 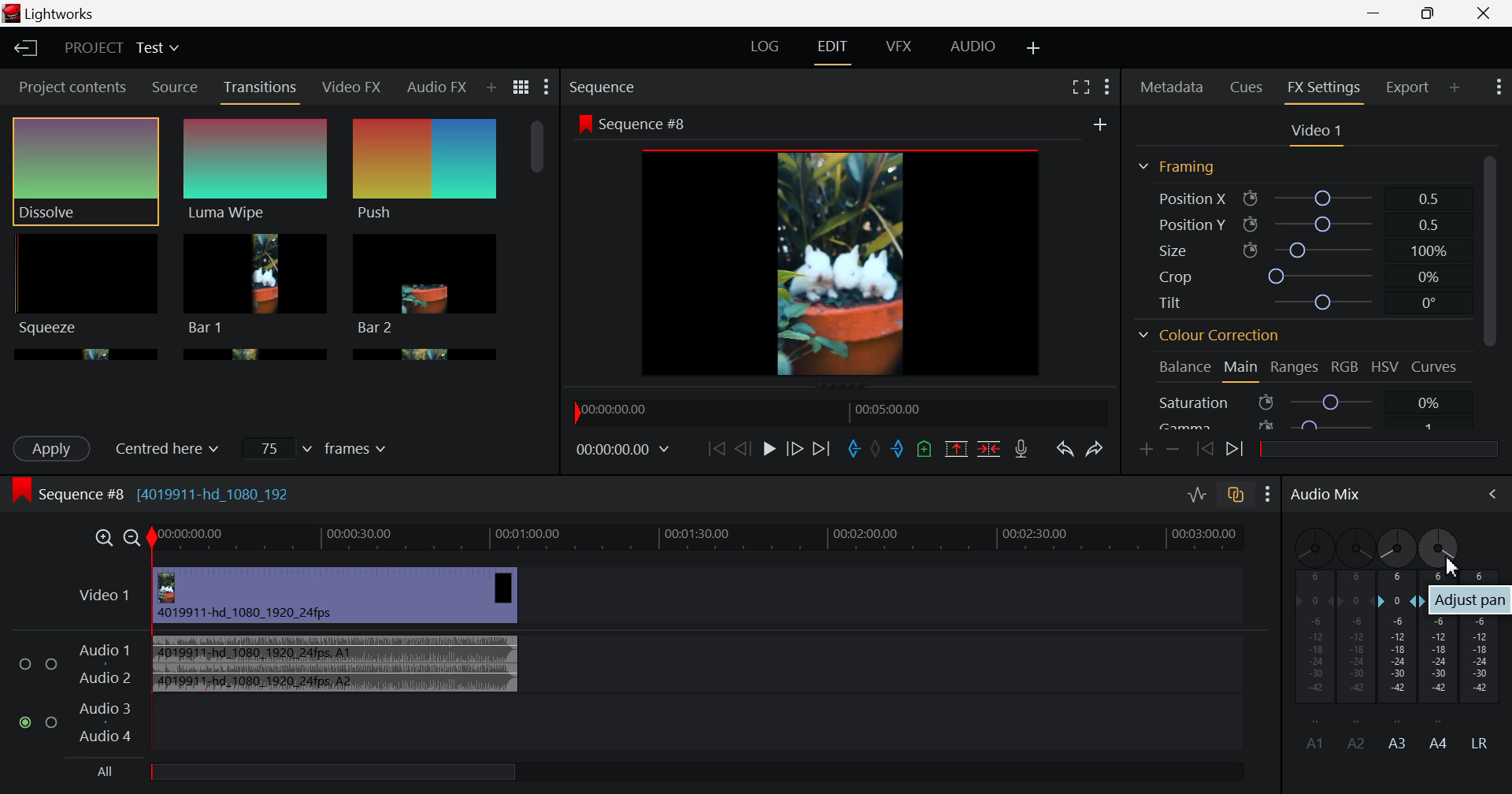 I want to click on Balance, so click(x=1183, y=368).